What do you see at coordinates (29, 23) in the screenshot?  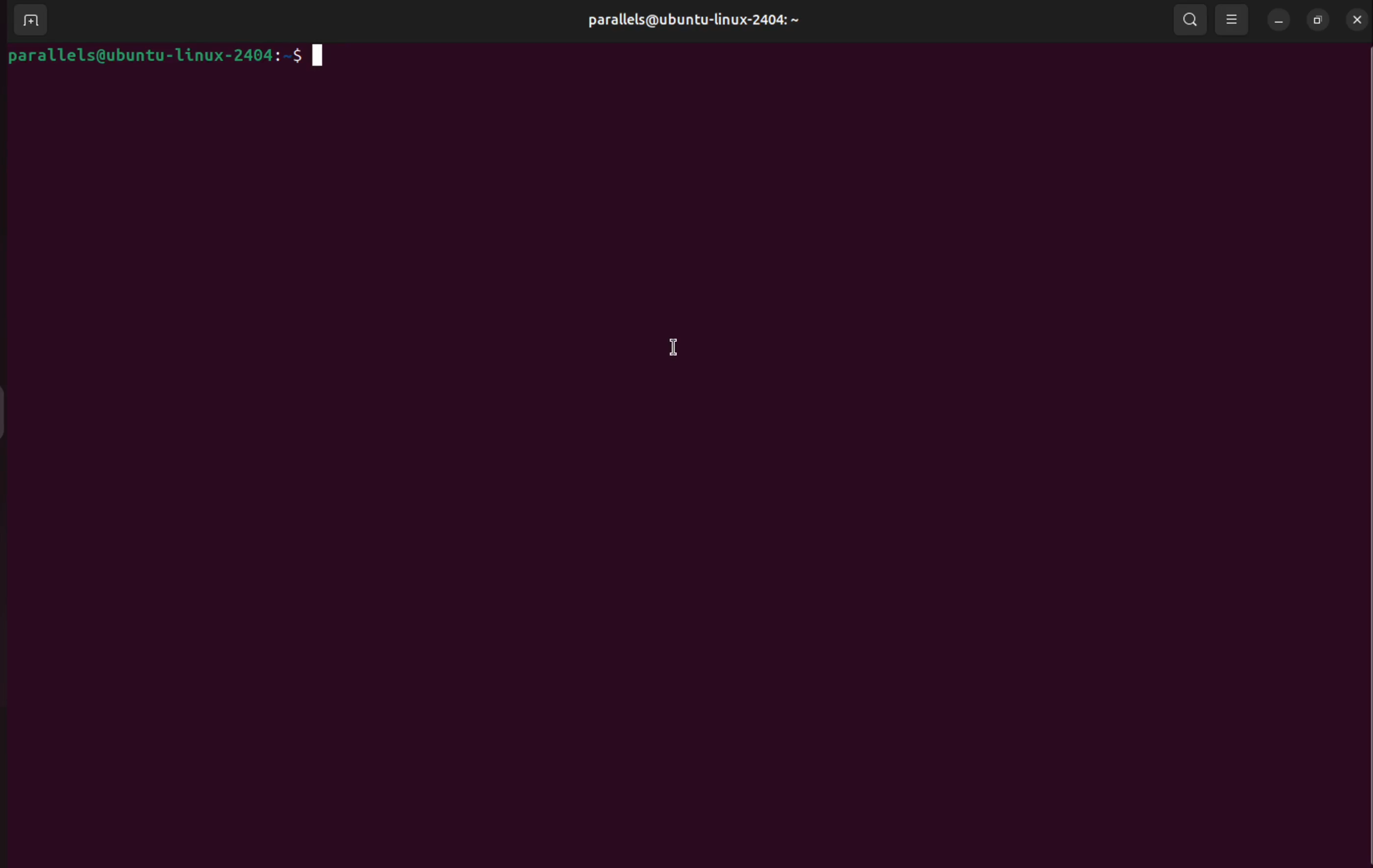 I see `add terminal` at bounding box center [29, 23].